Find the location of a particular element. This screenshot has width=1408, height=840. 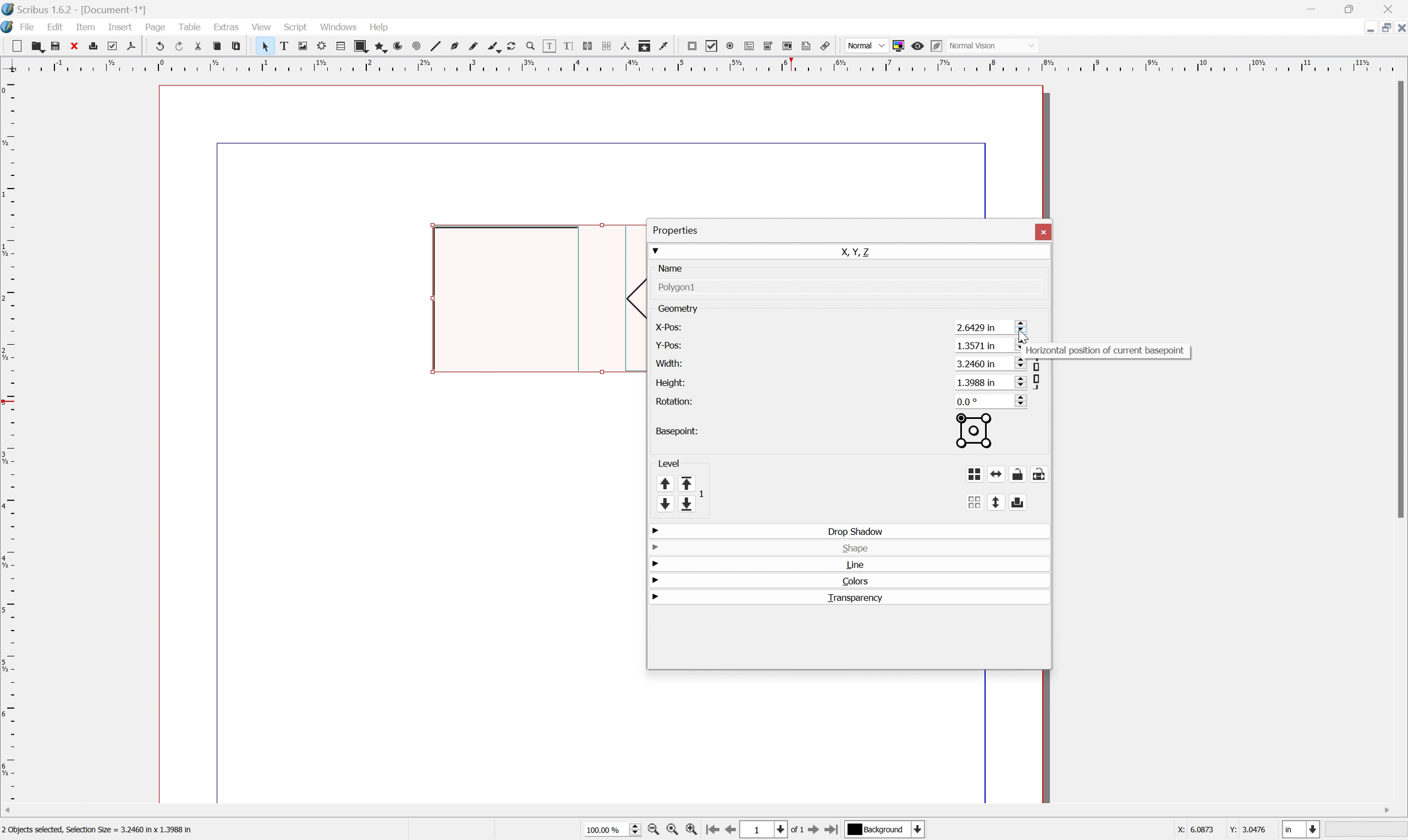

name is located at coordinates (673, 268).